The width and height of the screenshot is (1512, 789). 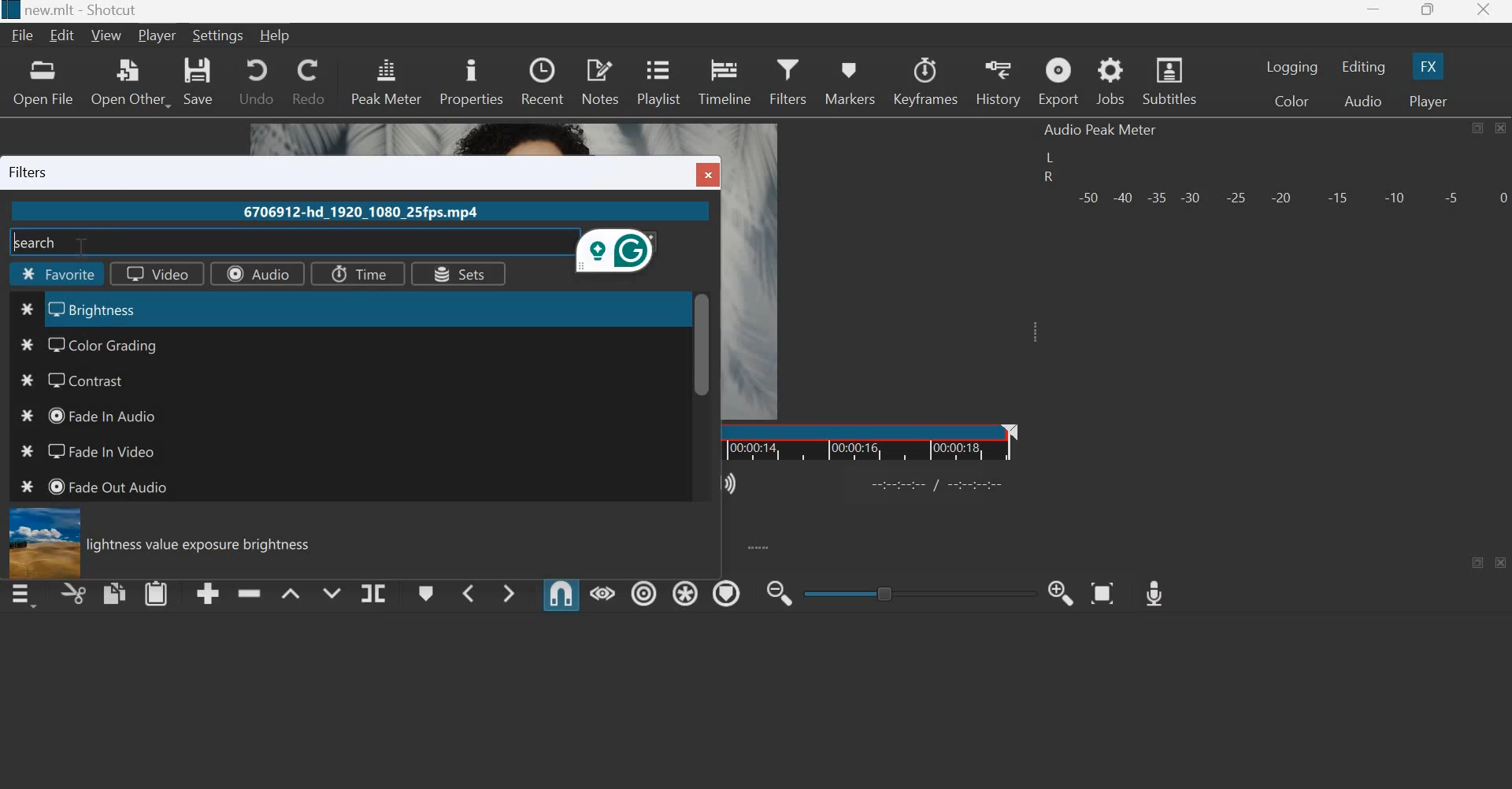 I want to click on minimize, so click(x=1373, y=13).